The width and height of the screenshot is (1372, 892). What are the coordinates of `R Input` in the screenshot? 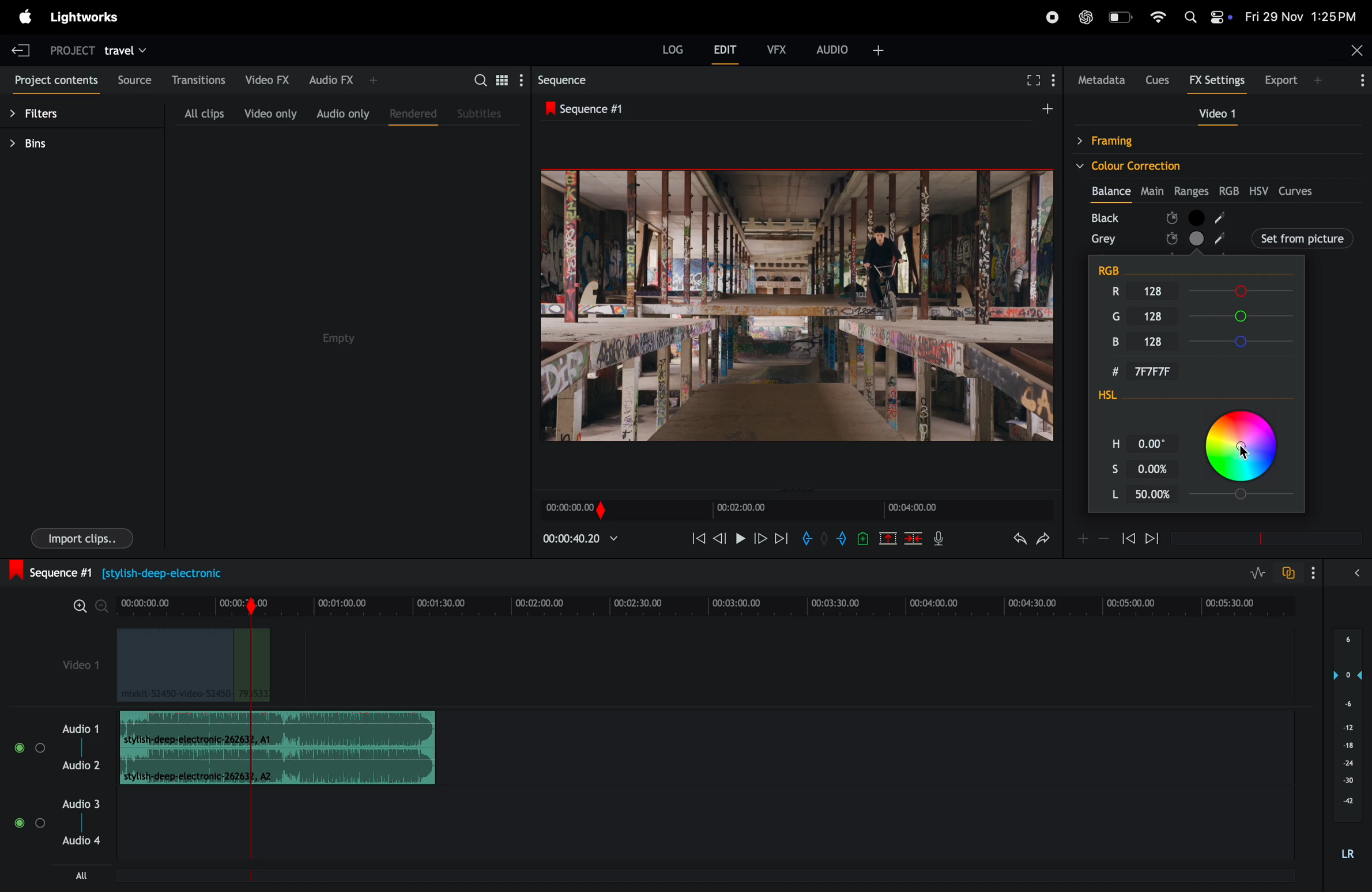 It's located at (1161, 291).